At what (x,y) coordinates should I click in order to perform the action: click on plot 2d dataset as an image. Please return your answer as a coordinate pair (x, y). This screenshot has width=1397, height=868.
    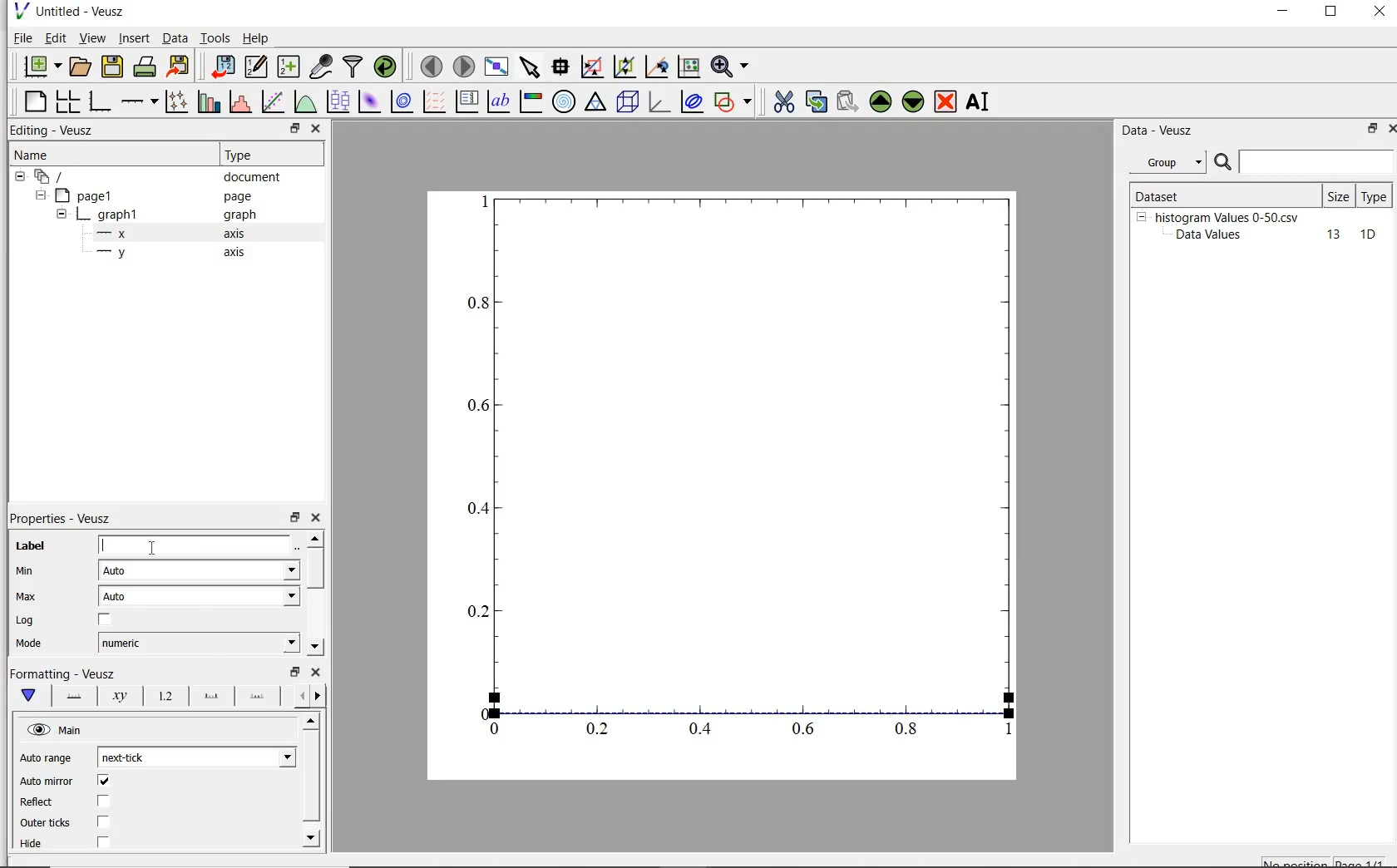
    Looking at the image, I should click on (369, 101).